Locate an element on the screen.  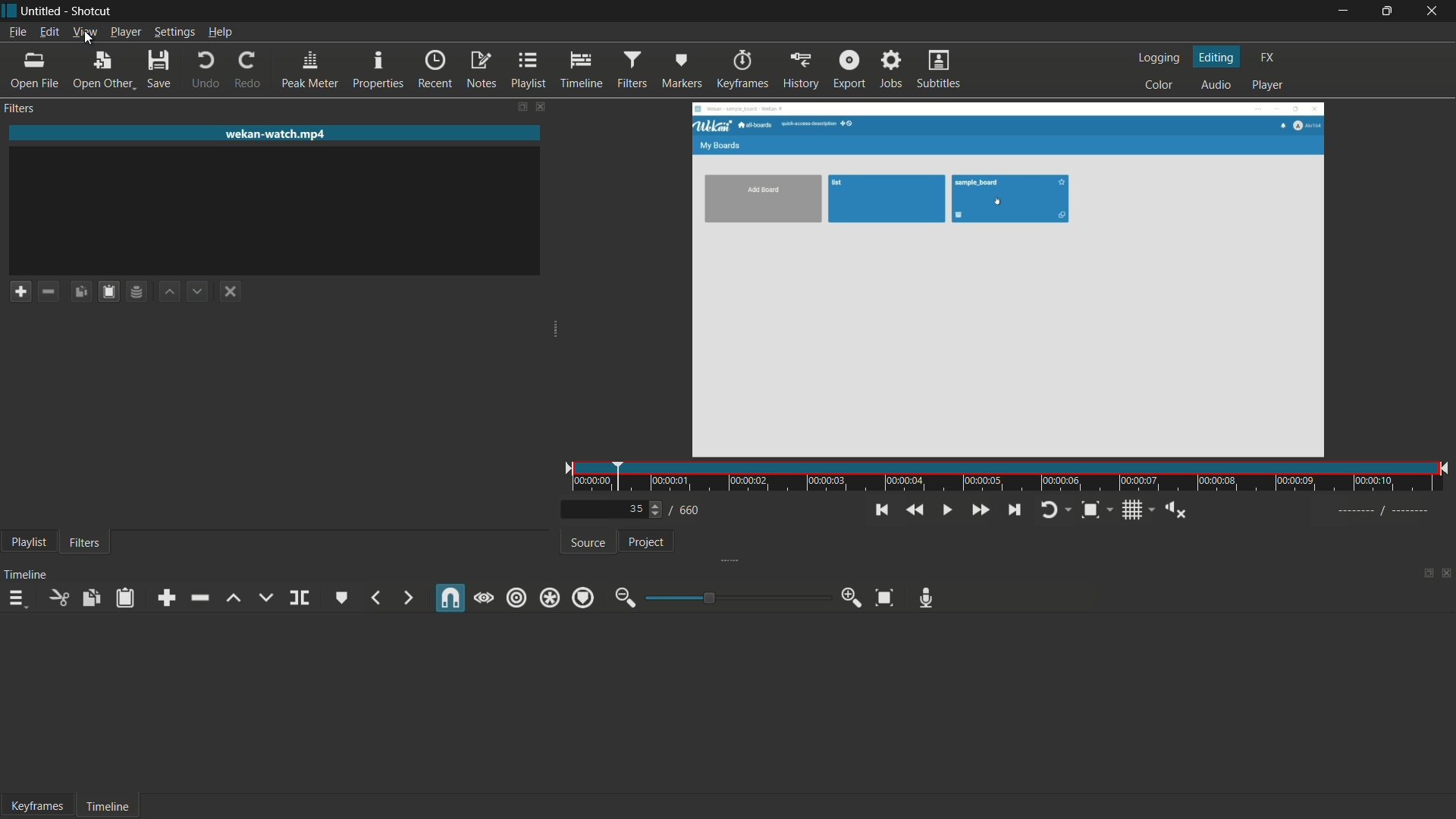
skip to the next point is located at coordinates (1012, 510).